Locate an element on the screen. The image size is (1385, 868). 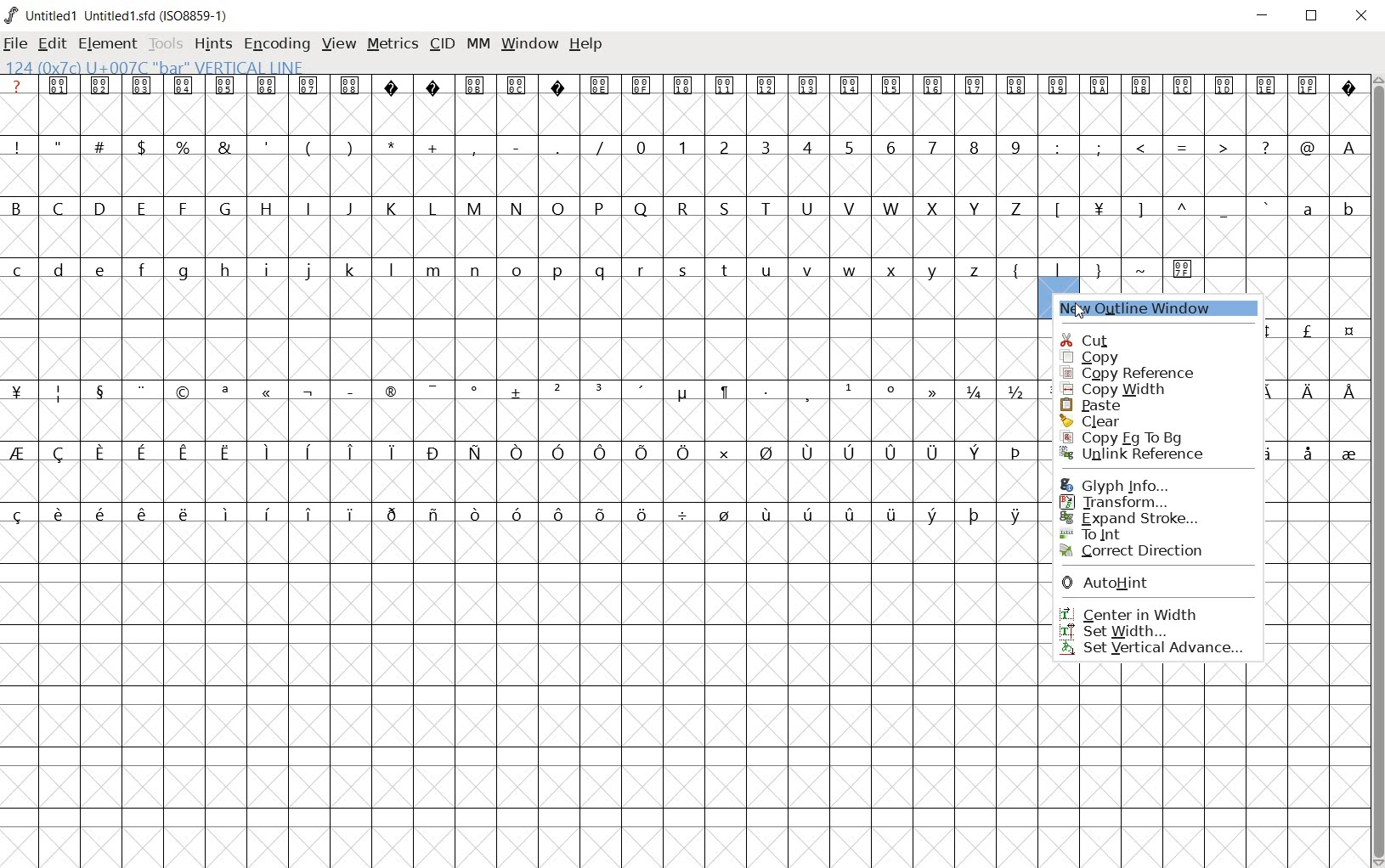
view is located at coordinates (339, 42).